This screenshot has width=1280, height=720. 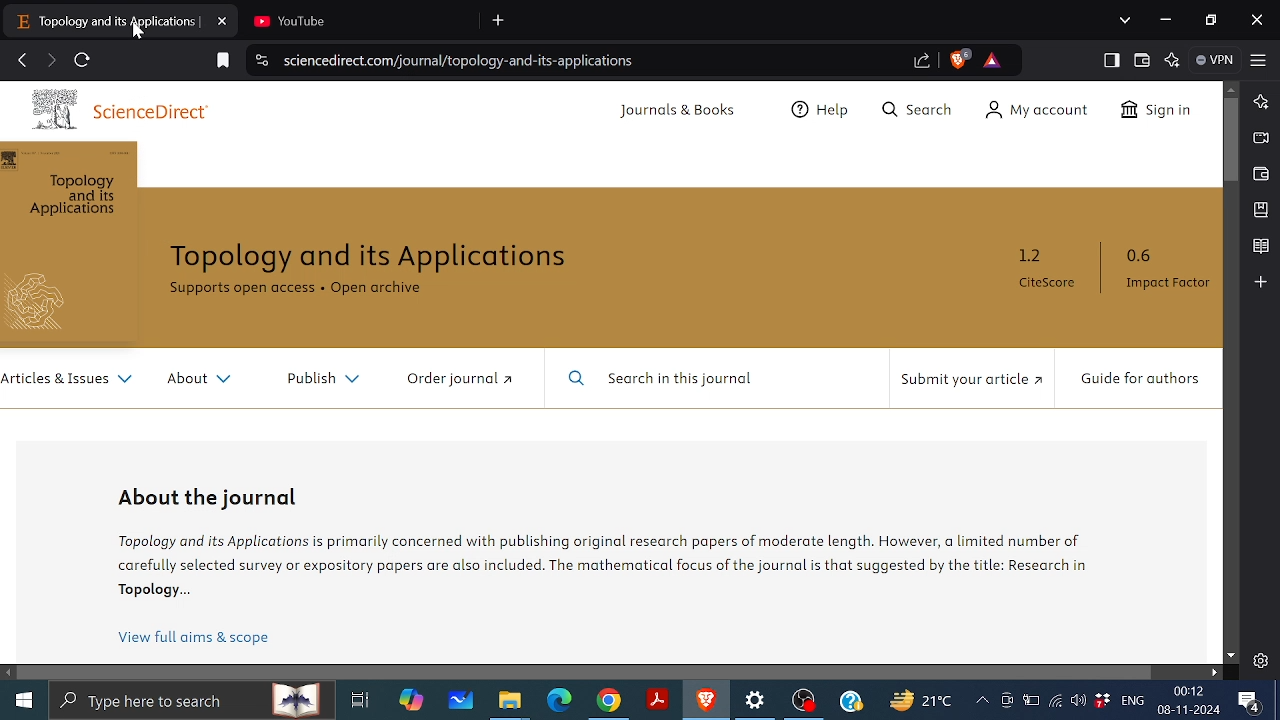 What do you see at coordinates (510, 702) in the screenshot?
I see `Files` at bounding box center [510, 702].